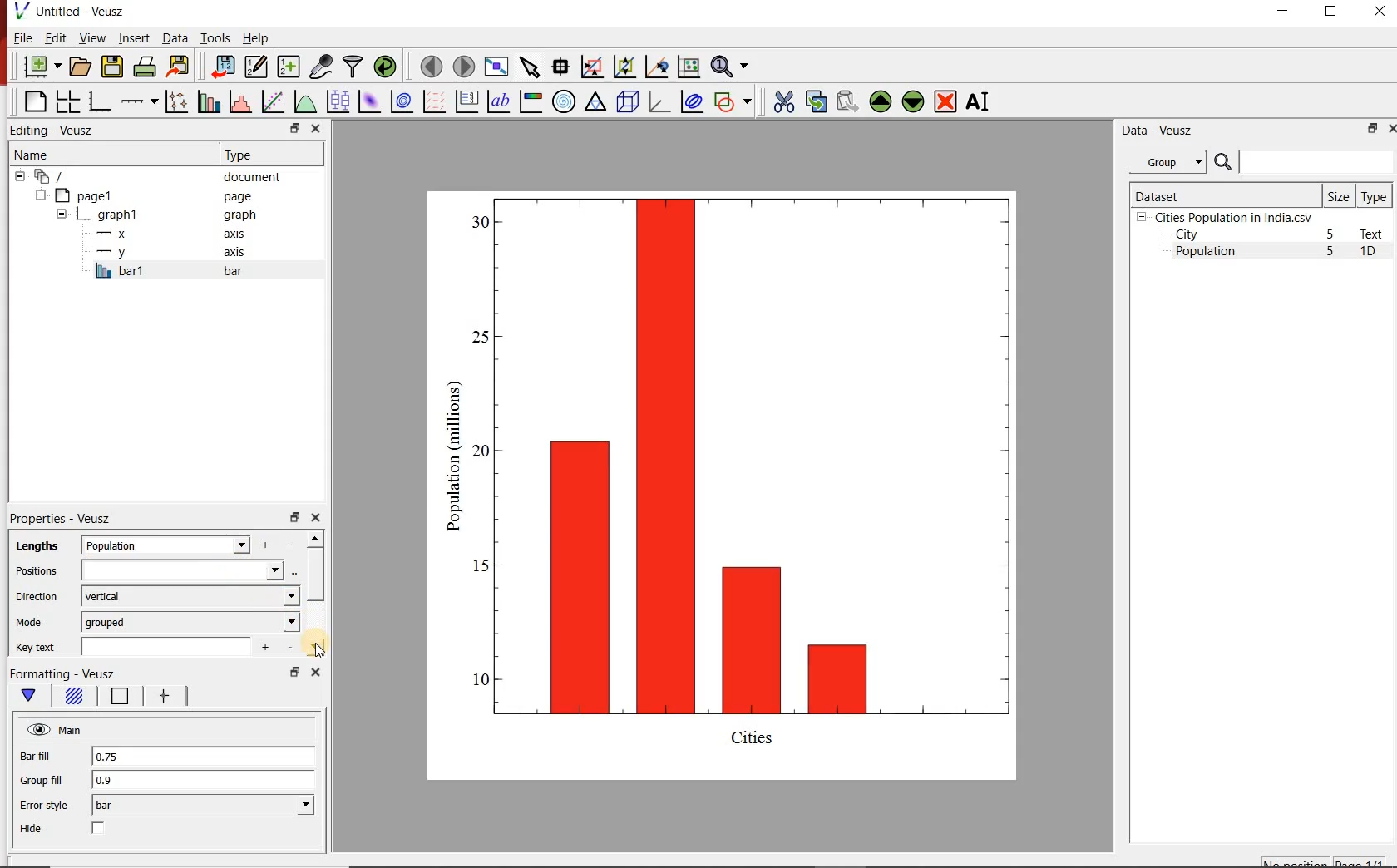 Image resolution: width=1397 pixels, height=868 pixels. What do you see at coordinates (1375, 253) in the screenshot?
I see `1D` at bounding box center [1375, 253].